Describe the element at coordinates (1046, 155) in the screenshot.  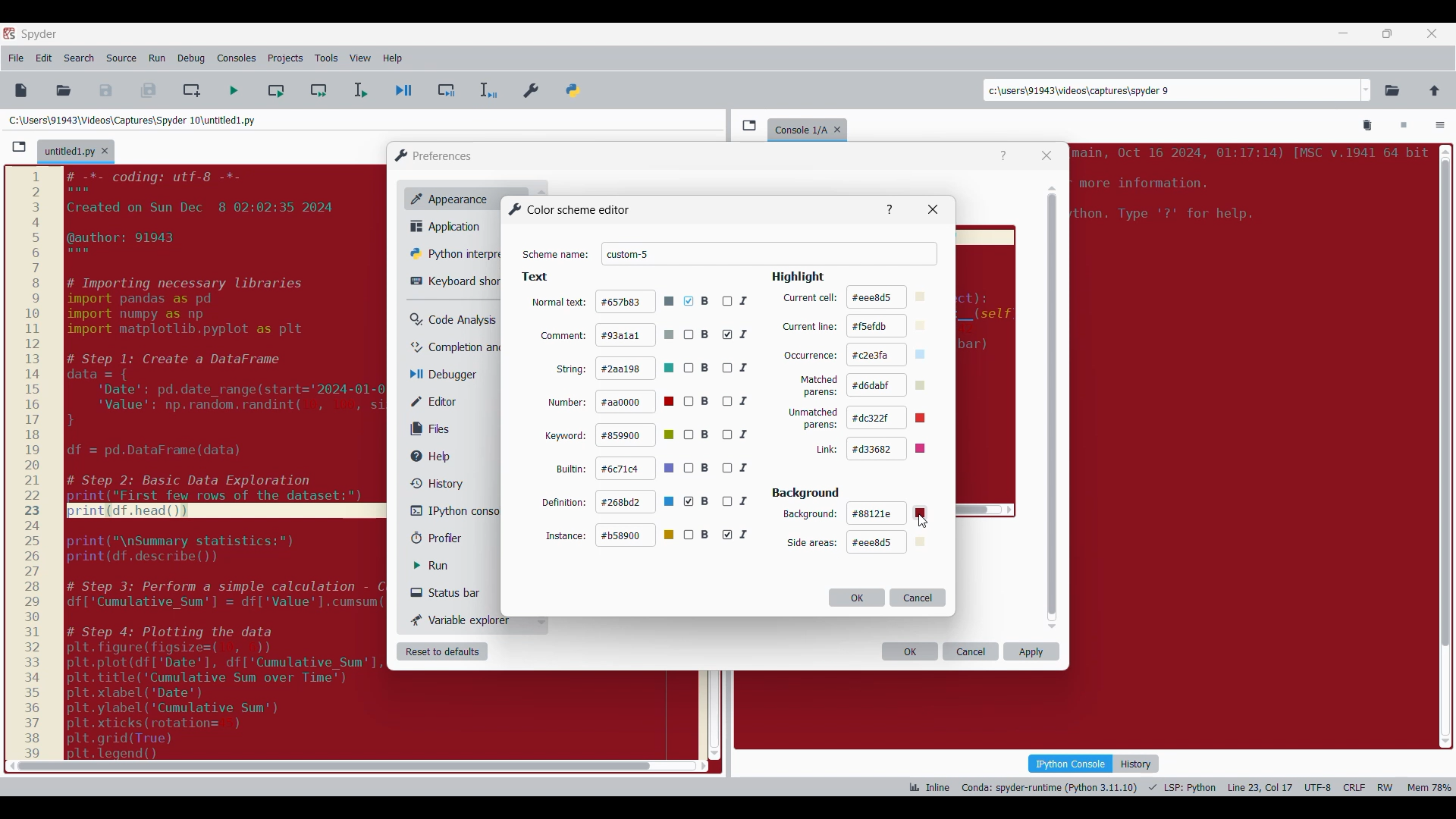
I see `Close` at that location.